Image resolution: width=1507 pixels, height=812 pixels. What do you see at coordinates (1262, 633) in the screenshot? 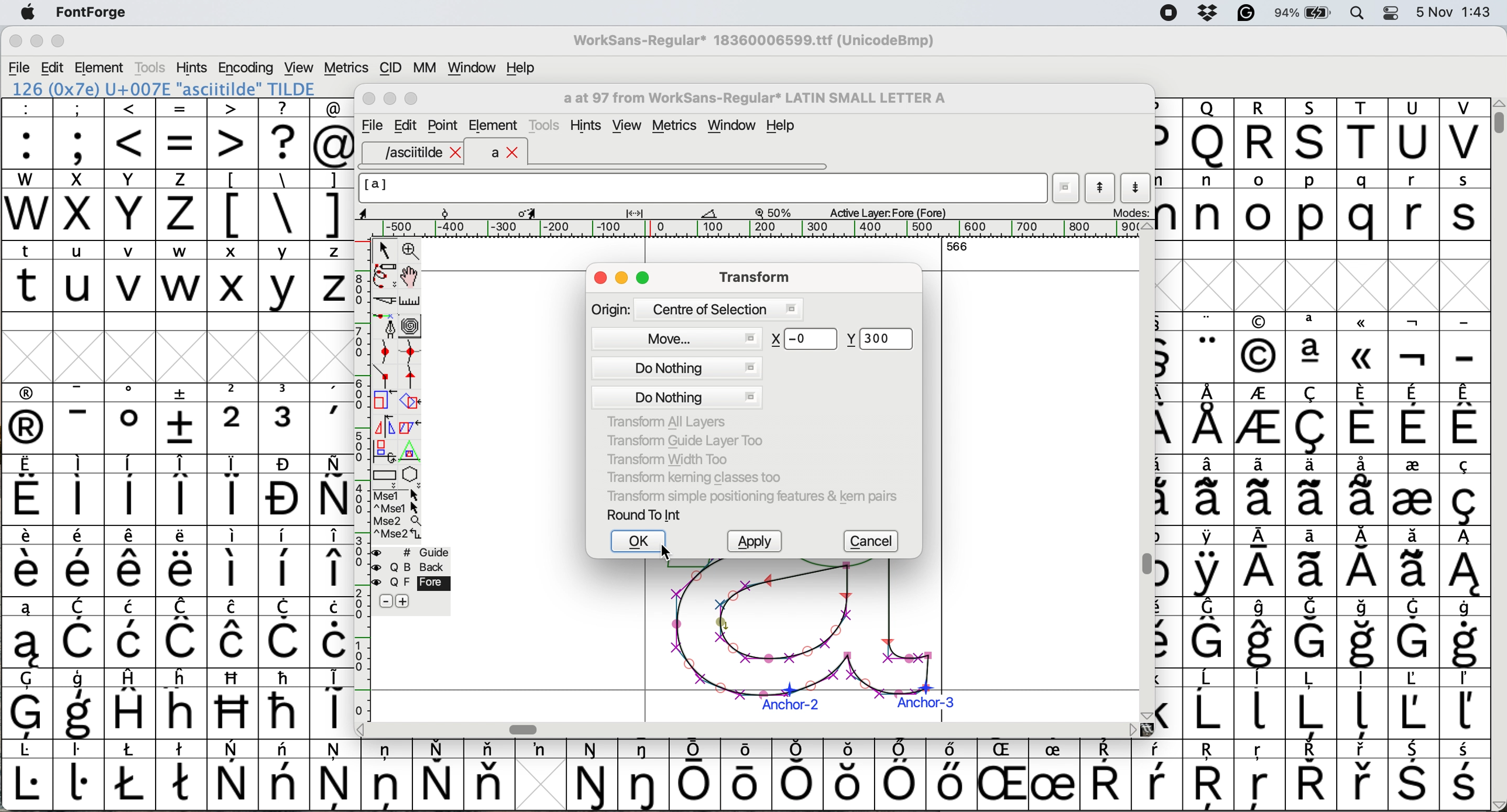
I see `symbol` at bounding box center [1262, 633].